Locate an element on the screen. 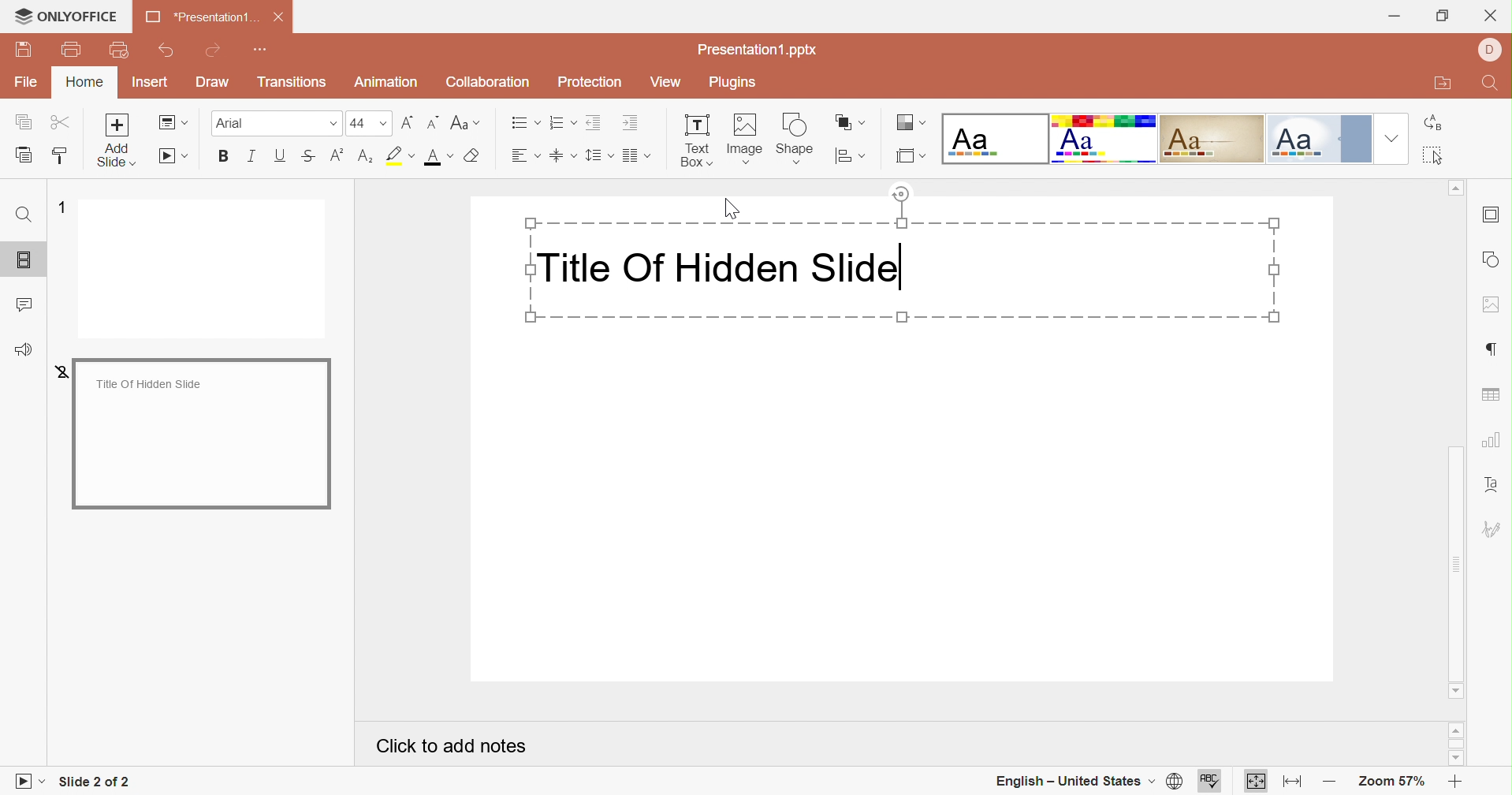 This screenshot has height=795, width=1512. Scroll up is located at coordinates (1454, 185).